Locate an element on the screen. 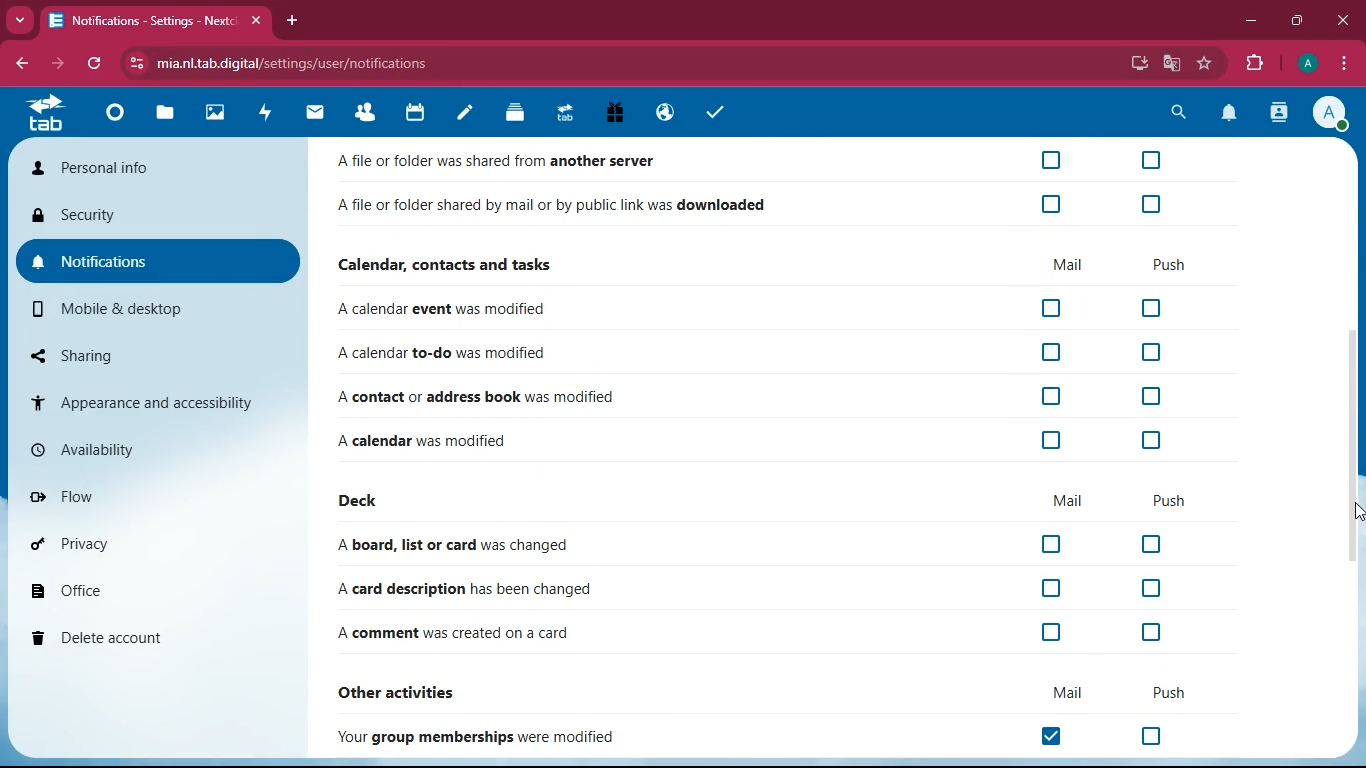 Image resolution: width=1366 pixels, height=768 pixels. A calendar to-do was modified is located at coordinates (445, 354).